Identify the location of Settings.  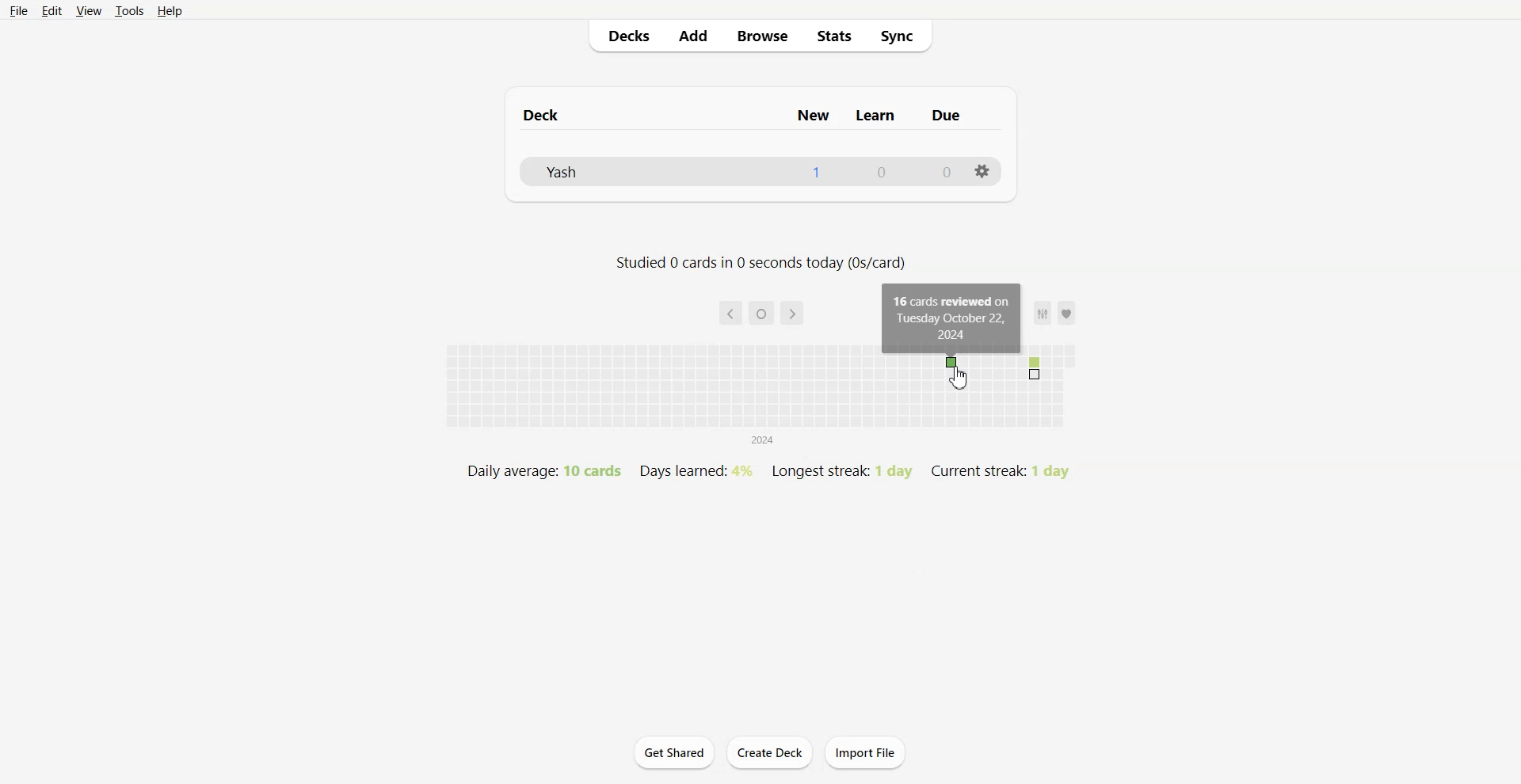
(984, 171).